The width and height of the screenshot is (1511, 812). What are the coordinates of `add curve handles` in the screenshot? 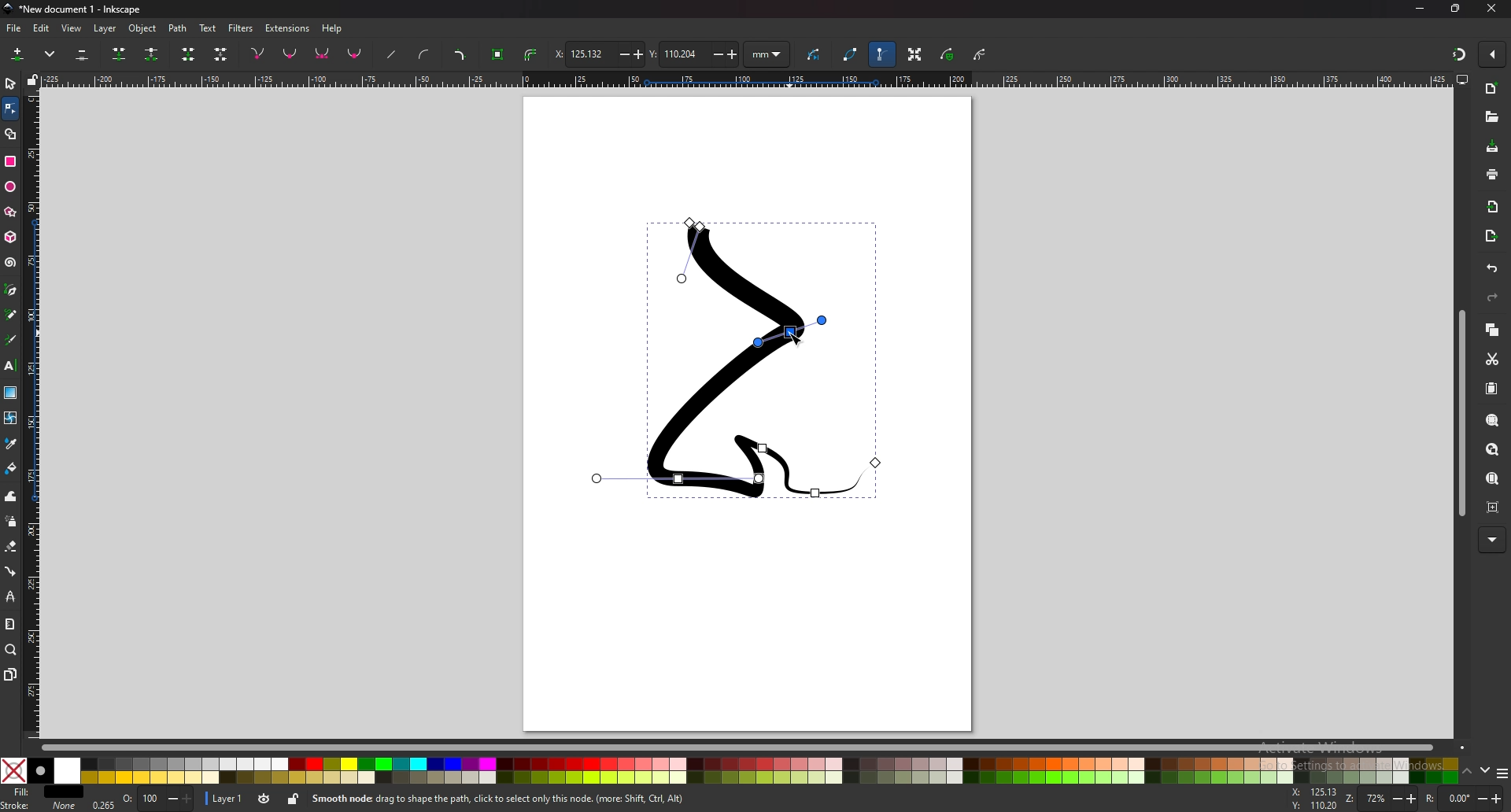 It's located at (423, 54).